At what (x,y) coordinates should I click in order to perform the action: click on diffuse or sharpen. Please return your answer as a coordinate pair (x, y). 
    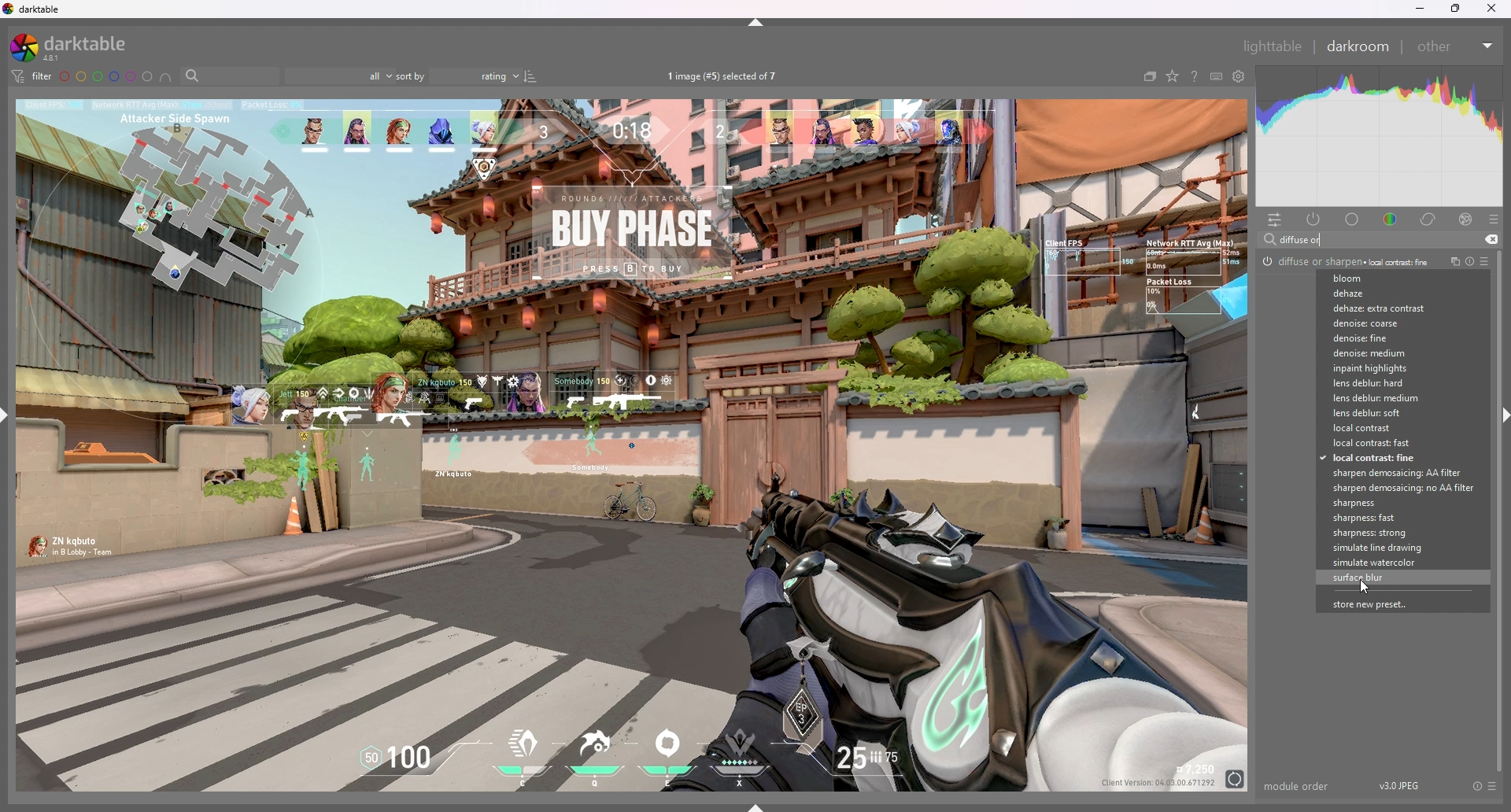
    Looking at the image, I should click on (1346, 260).